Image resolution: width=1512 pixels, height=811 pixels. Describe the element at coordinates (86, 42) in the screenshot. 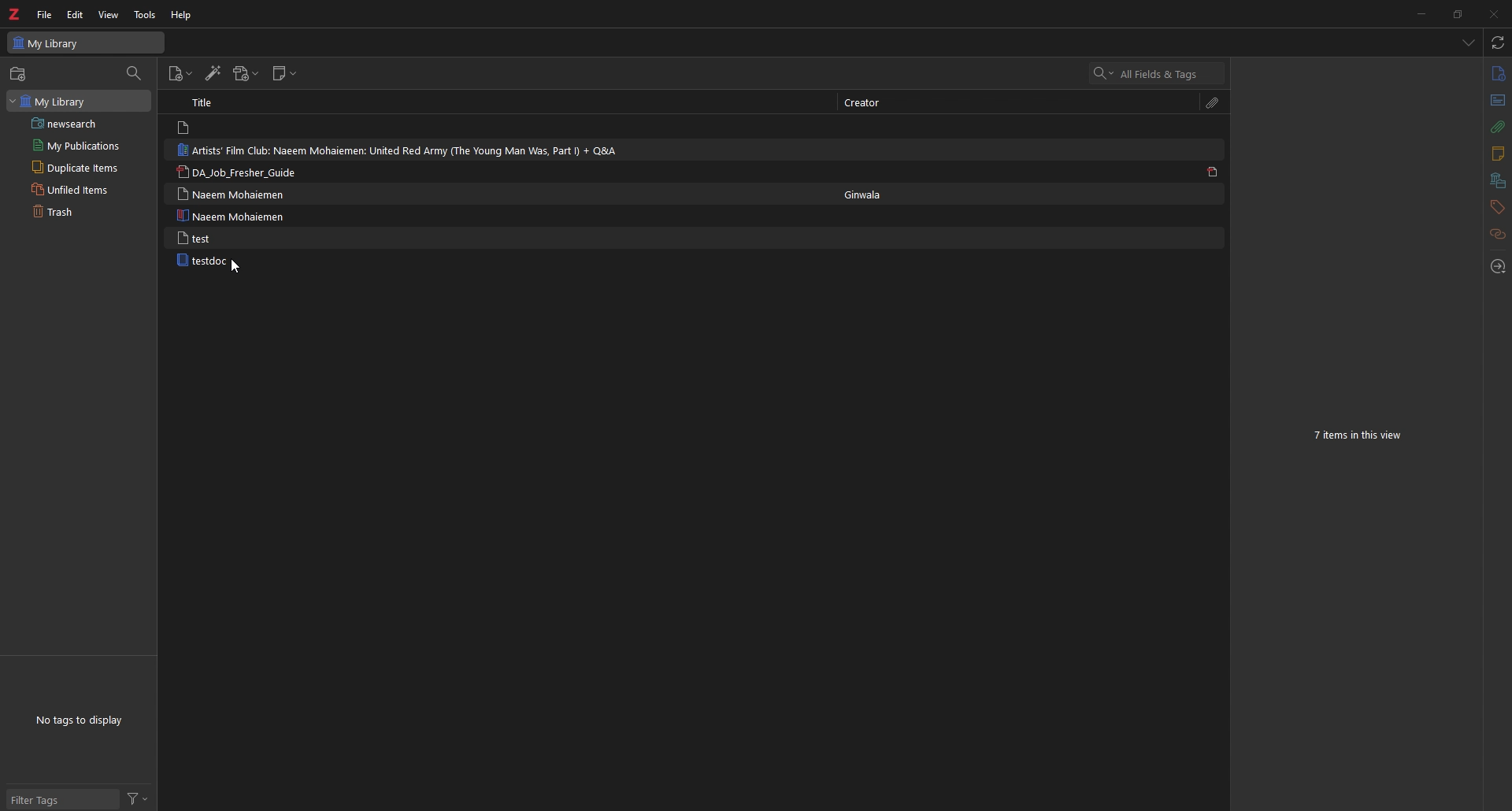

I see `My Library` at that location.